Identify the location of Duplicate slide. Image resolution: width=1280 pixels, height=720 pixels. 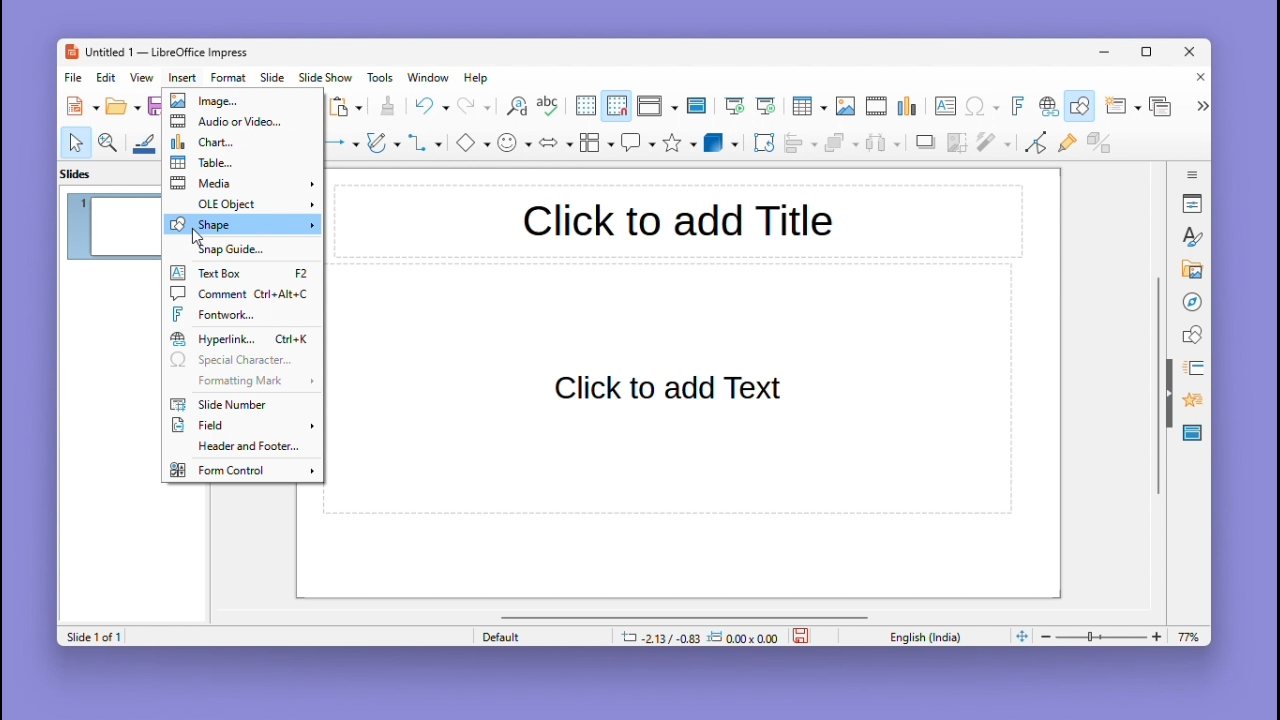
(1163, 106).